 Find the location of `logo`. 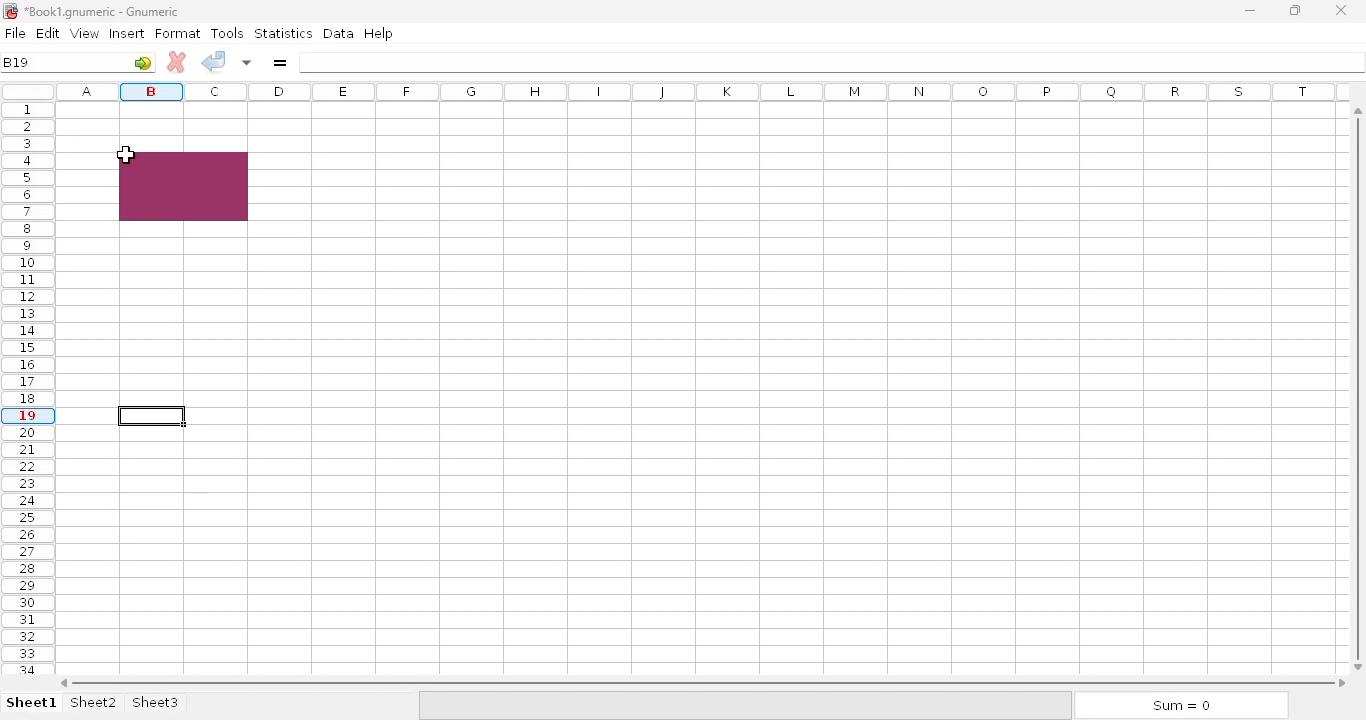

logo is located at coordinates (10, 12).